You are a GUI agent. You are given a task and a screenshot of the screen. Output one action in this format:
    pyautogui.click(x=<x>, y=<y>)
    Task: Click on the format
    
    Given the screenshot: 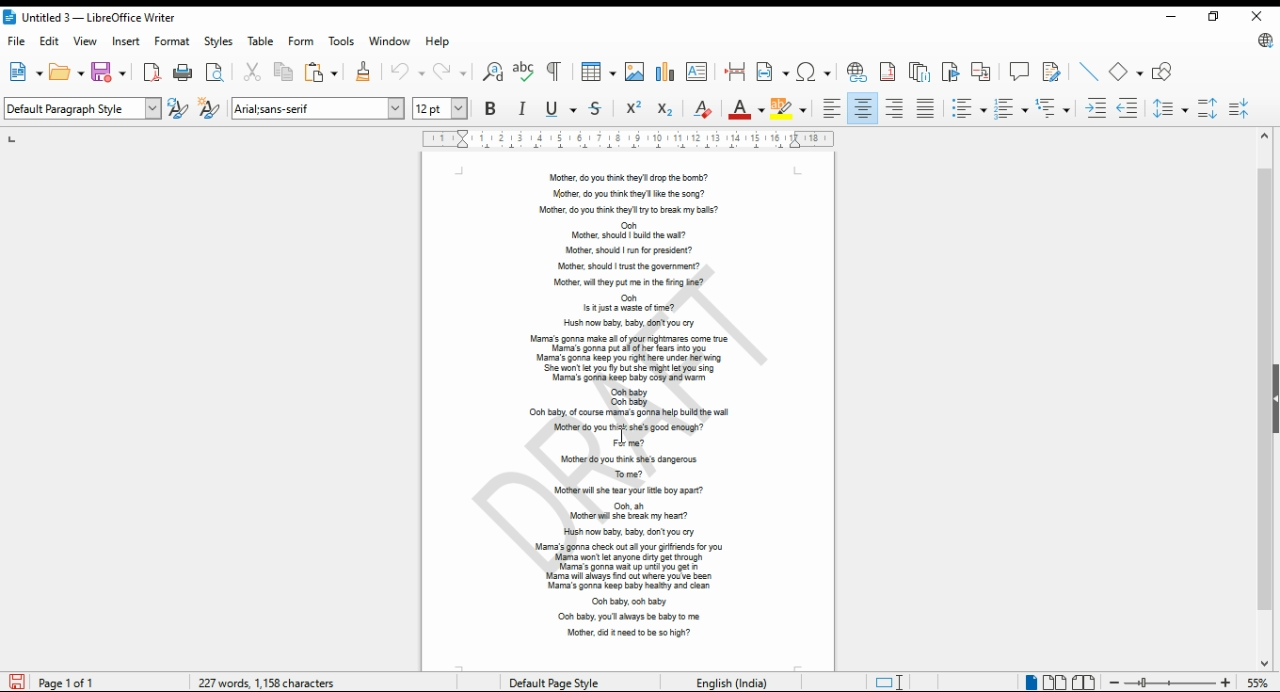 What is the action you would take?
    pyautogui.click(x=172, y=40)
    